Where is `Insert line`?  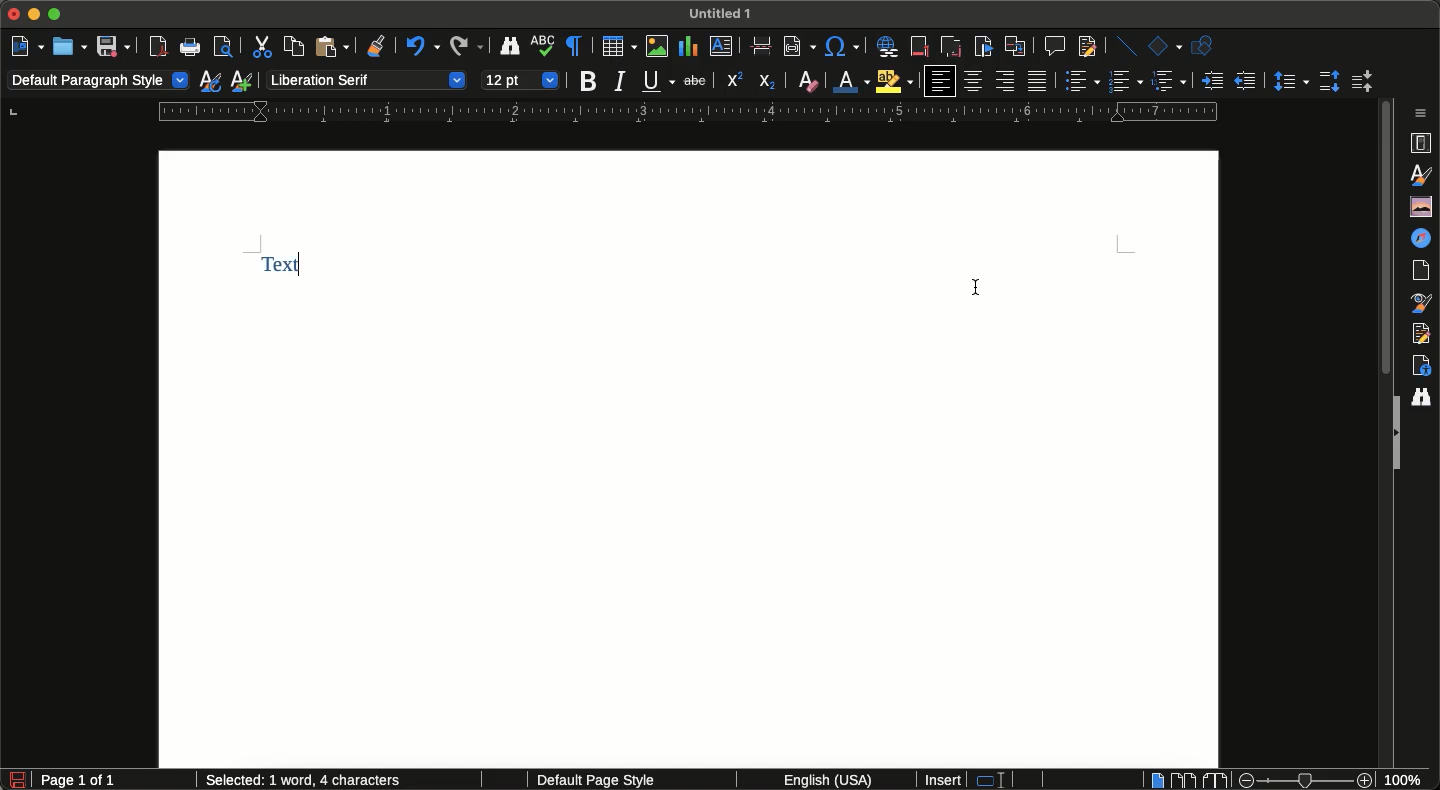
Insert line is located at coordinates (1123, 46).